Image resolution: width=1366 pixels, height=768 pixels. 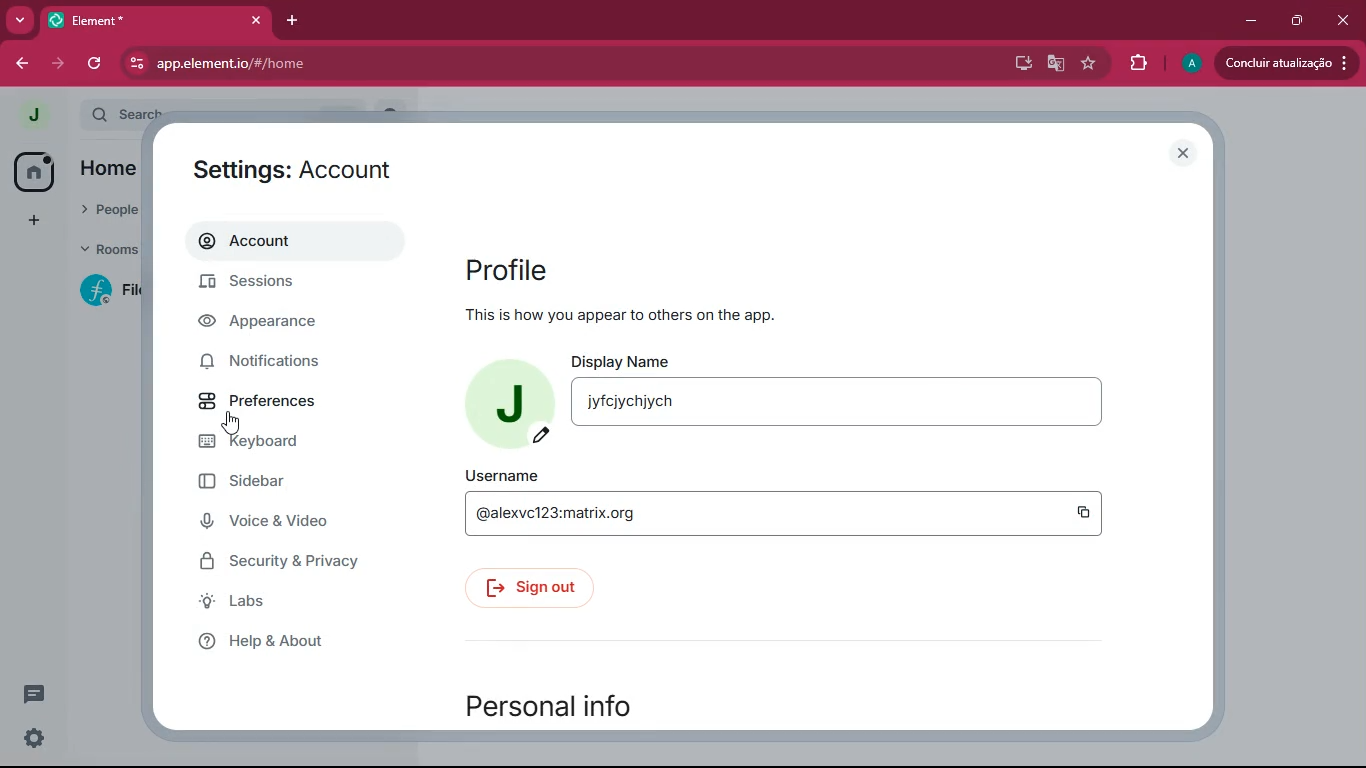 I want to click on notifications, so click(x=277, y=359).